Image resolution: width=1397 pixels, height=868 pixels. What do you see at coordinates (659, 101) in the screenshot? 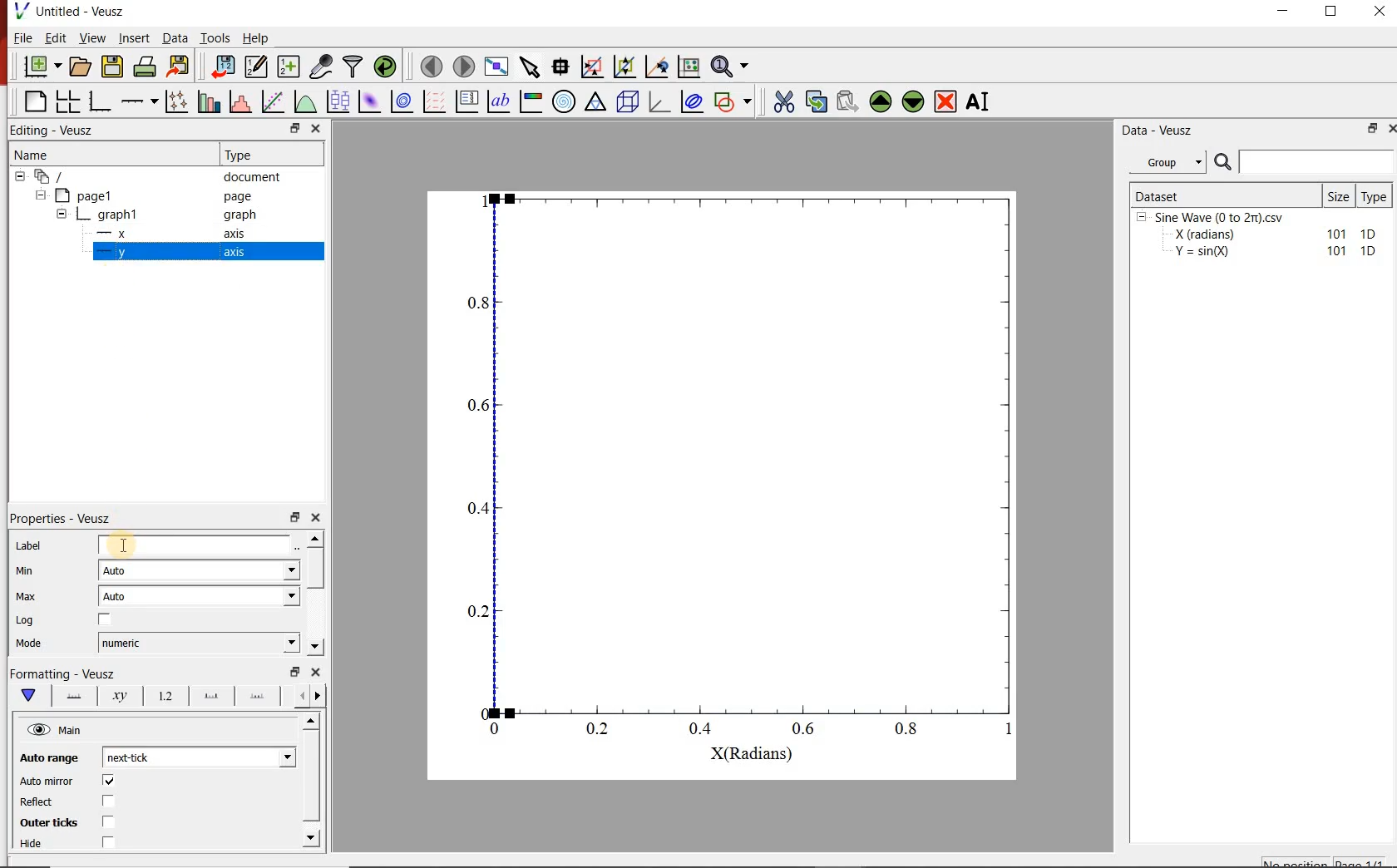
I see `3d graph` at bounding box center [659, 101].